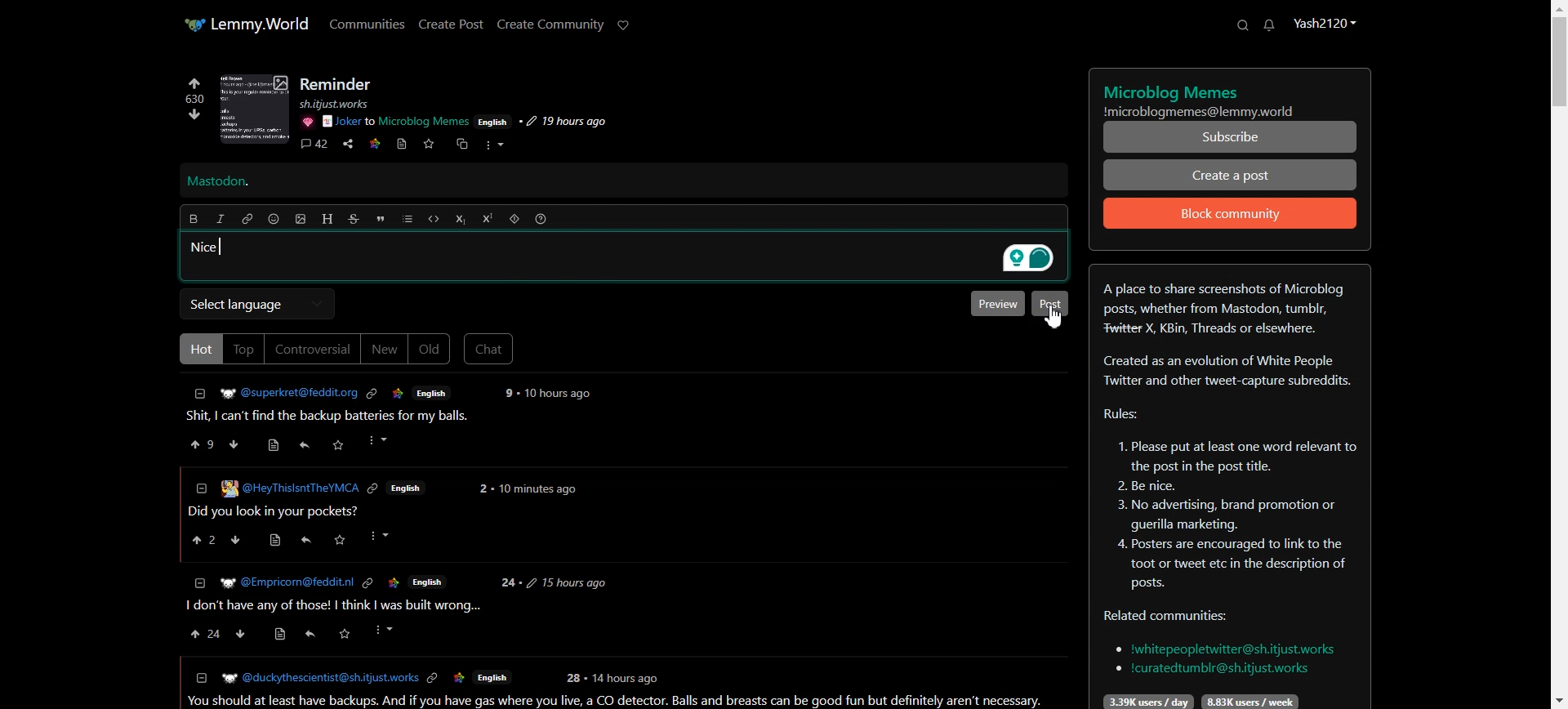 The height and width of the screenshot is (709, 1568). What do you see at coordinates (367, 23) in the screenshot?
I see `Communities` at bounding box center [367, 23].